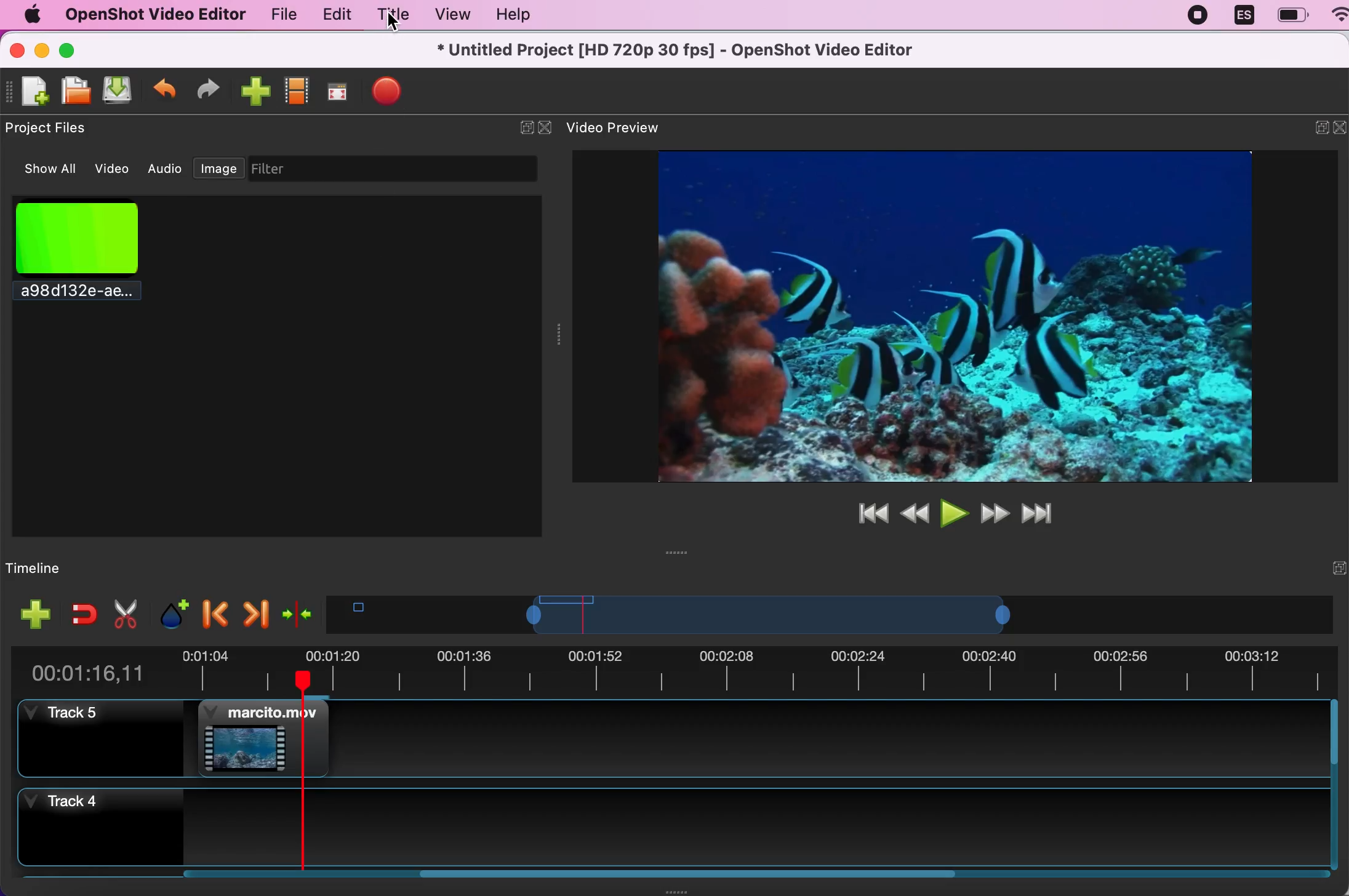  What do you see at coordinates (297, 612) in the screenshot?
I see `center the timeline` at bounding box center [297, 612].